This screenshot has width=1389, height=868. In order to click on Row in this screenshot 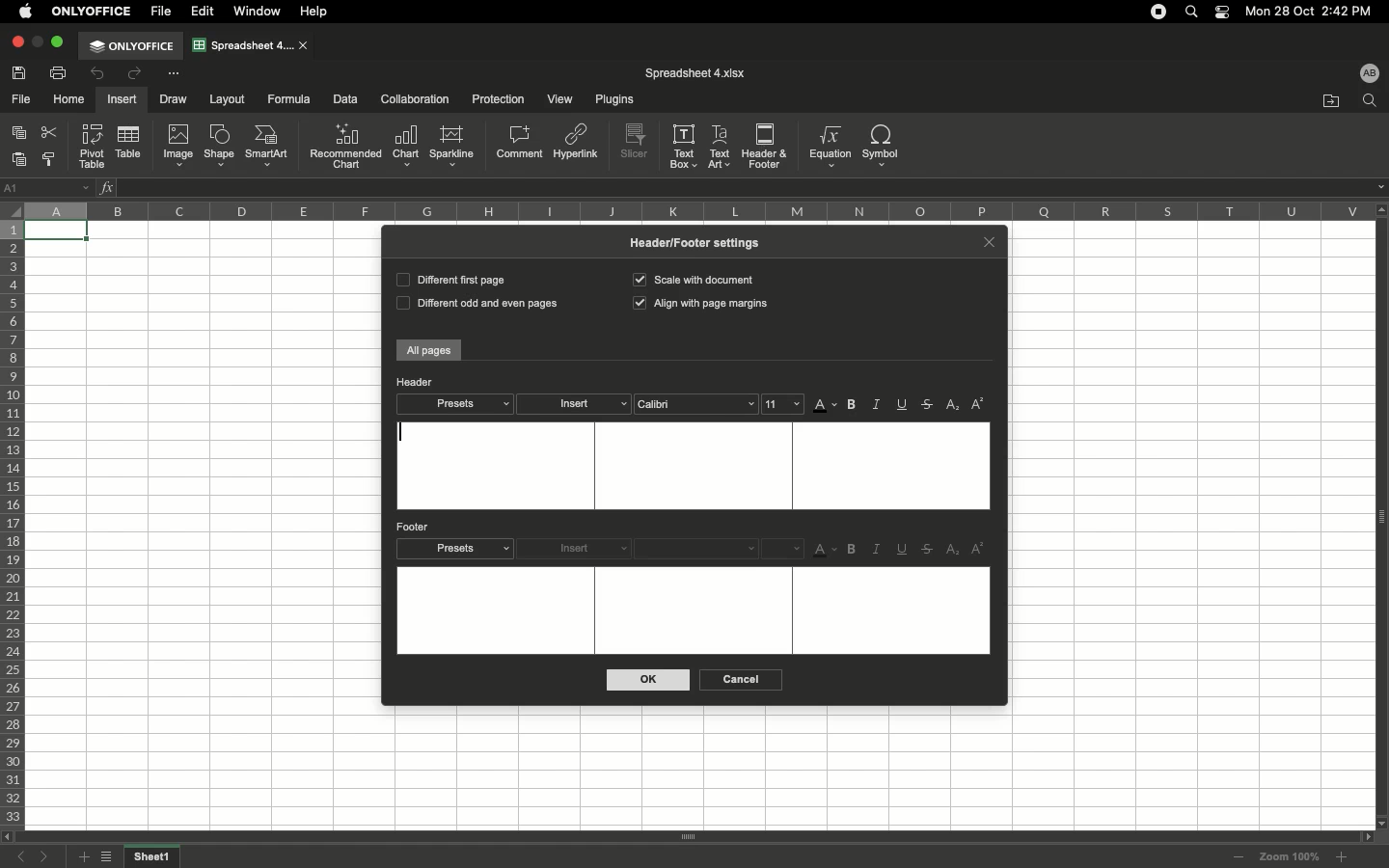, I will do `click(14, 524)`.